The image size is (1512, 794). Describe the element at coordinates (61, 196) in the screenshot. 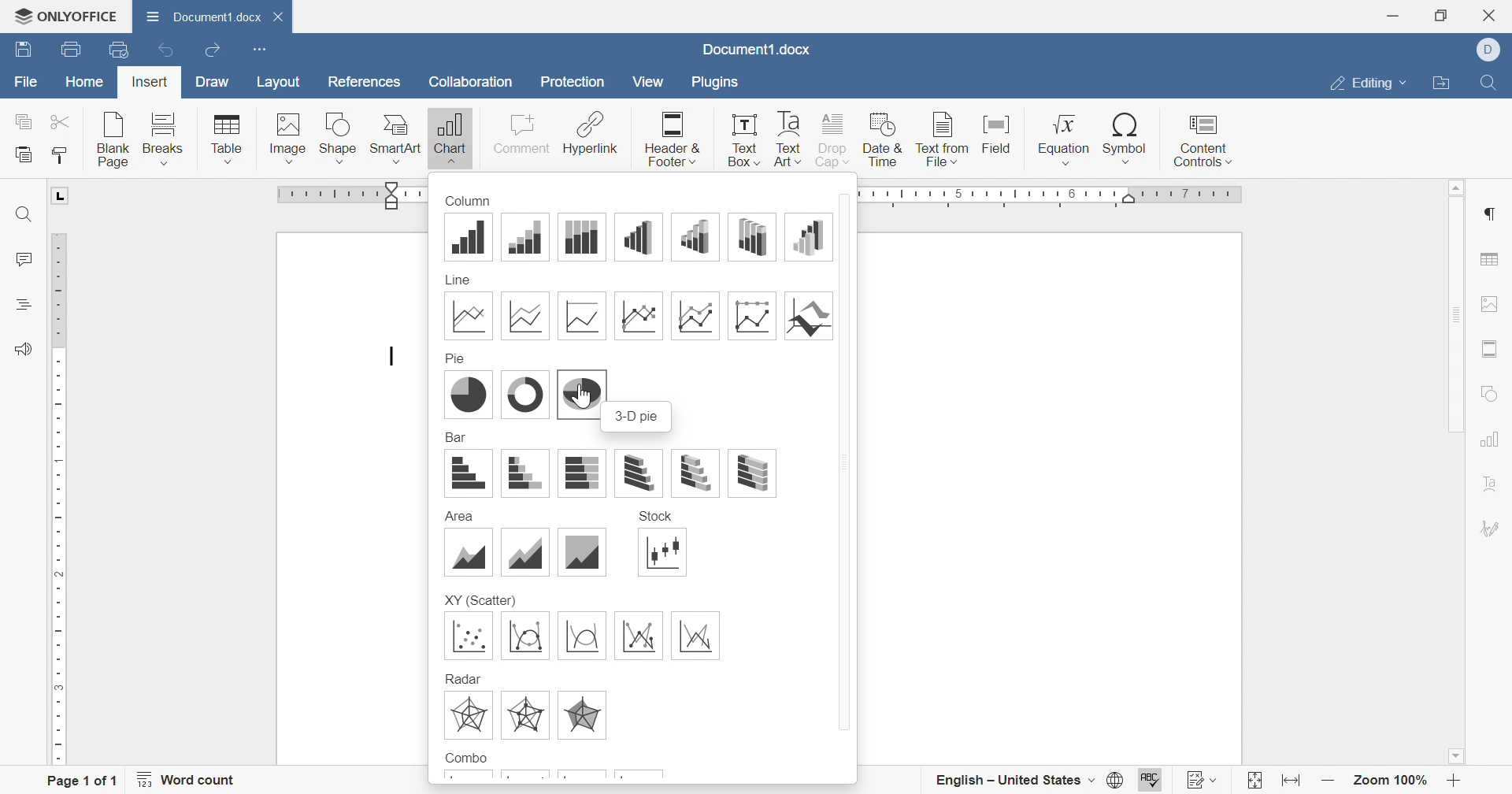

I see `L` at that location.